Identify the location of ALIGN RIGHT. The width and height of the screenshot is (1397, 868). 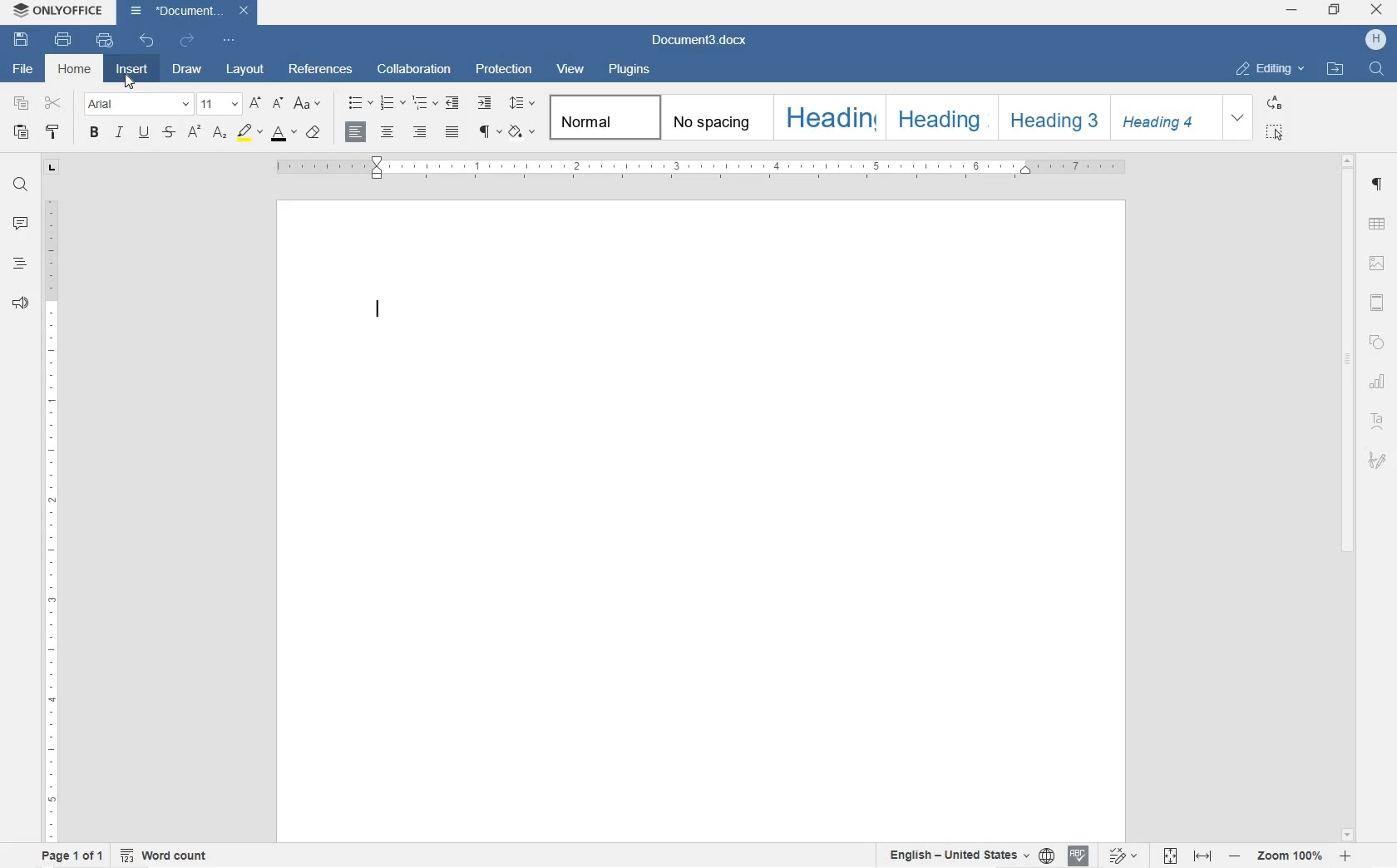
(420, 133).